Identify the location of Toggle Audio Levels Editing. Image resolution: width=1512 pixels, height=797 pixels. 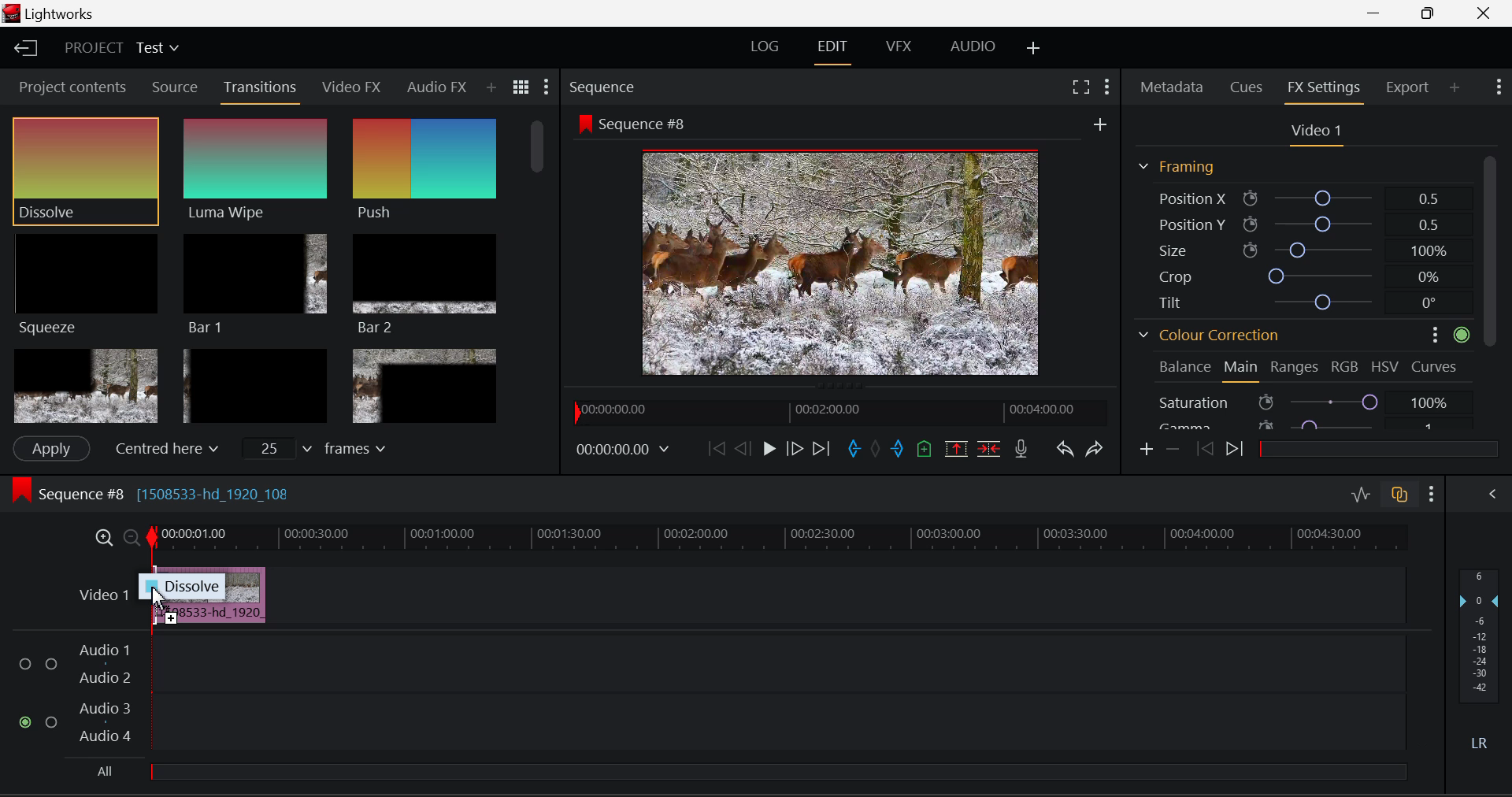
(1360, 498).